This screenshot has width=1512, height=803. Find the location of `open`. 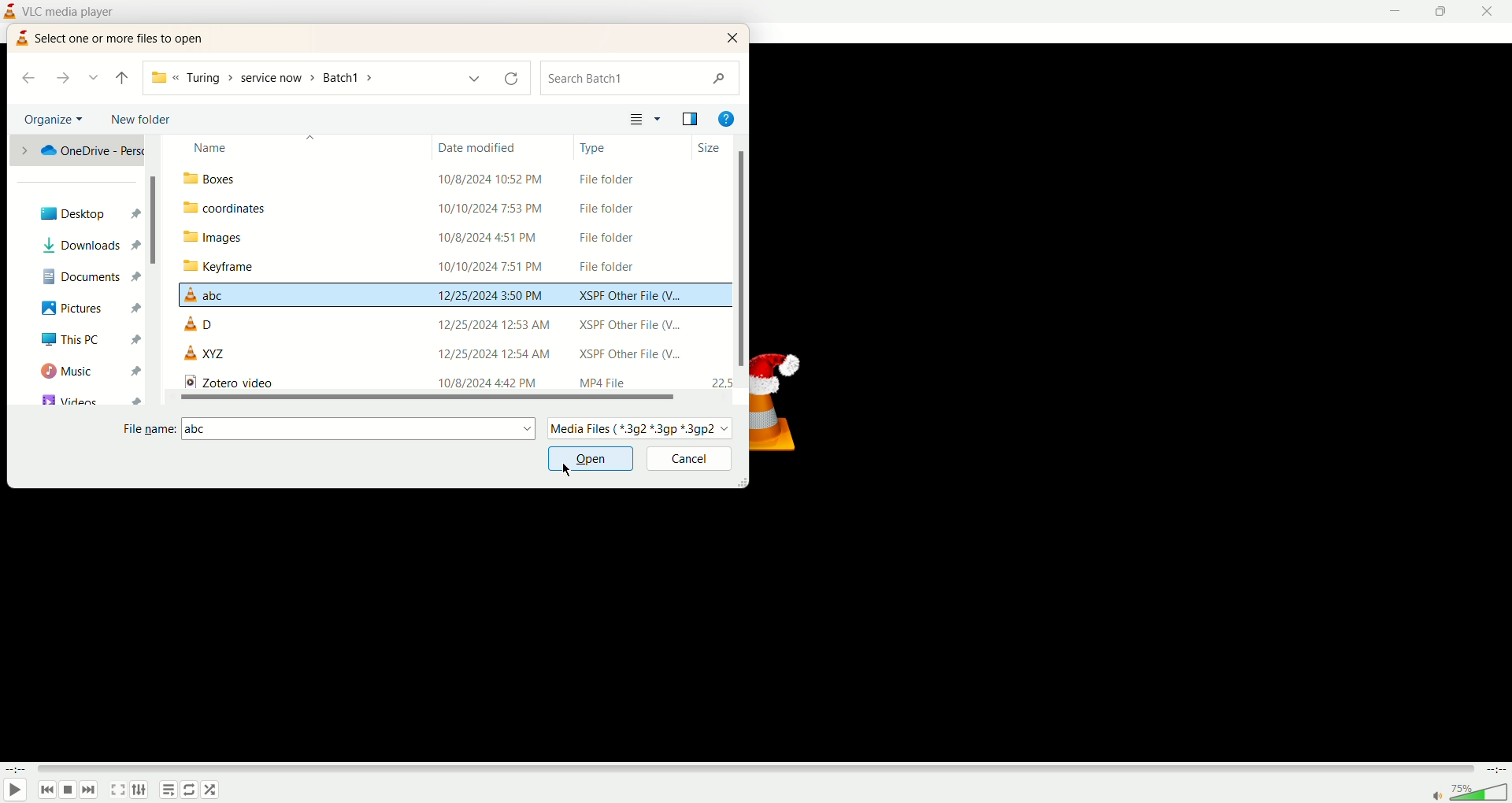

open is located at coordinates (590, 460).